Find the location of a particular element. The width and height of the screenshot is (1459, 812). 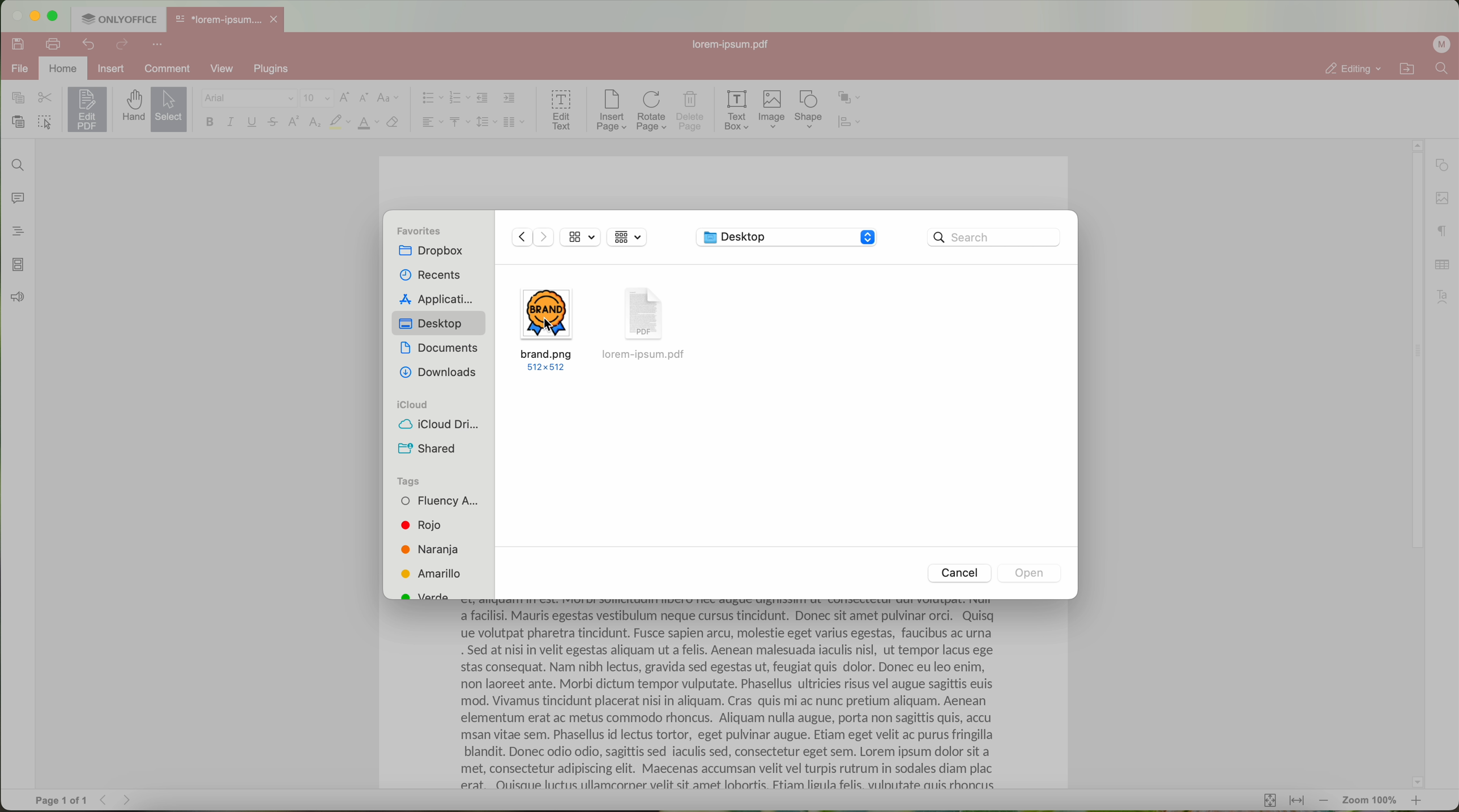

redo is located at coordinates (122, 45).